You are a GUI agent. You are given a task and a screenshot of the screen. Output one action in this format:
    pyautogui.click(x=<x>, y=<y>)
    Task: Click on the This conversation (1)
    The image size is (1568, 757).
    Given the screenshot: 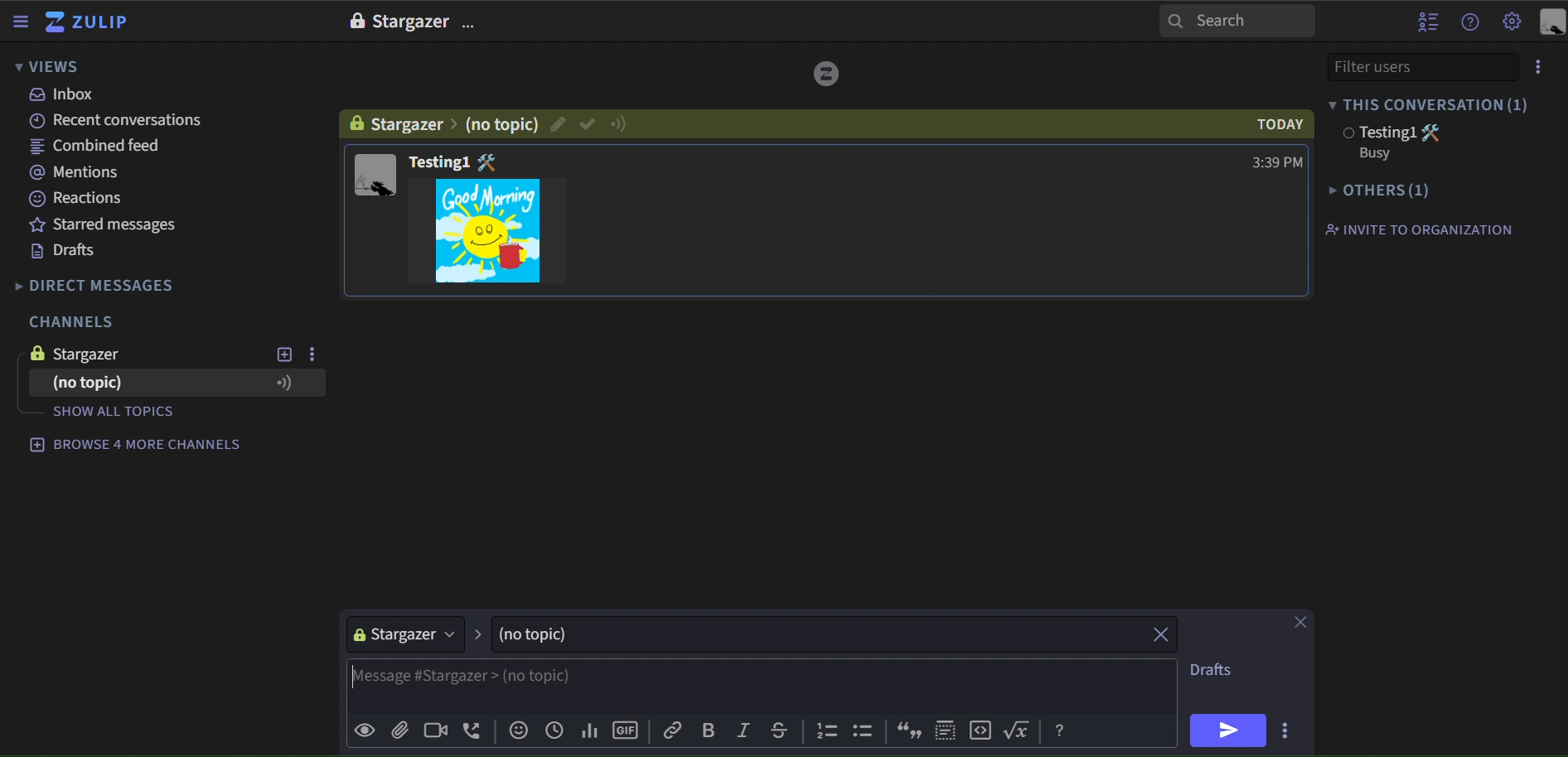 What is the action you would take?
    pyautogui.click(x=1440, y=104)
    